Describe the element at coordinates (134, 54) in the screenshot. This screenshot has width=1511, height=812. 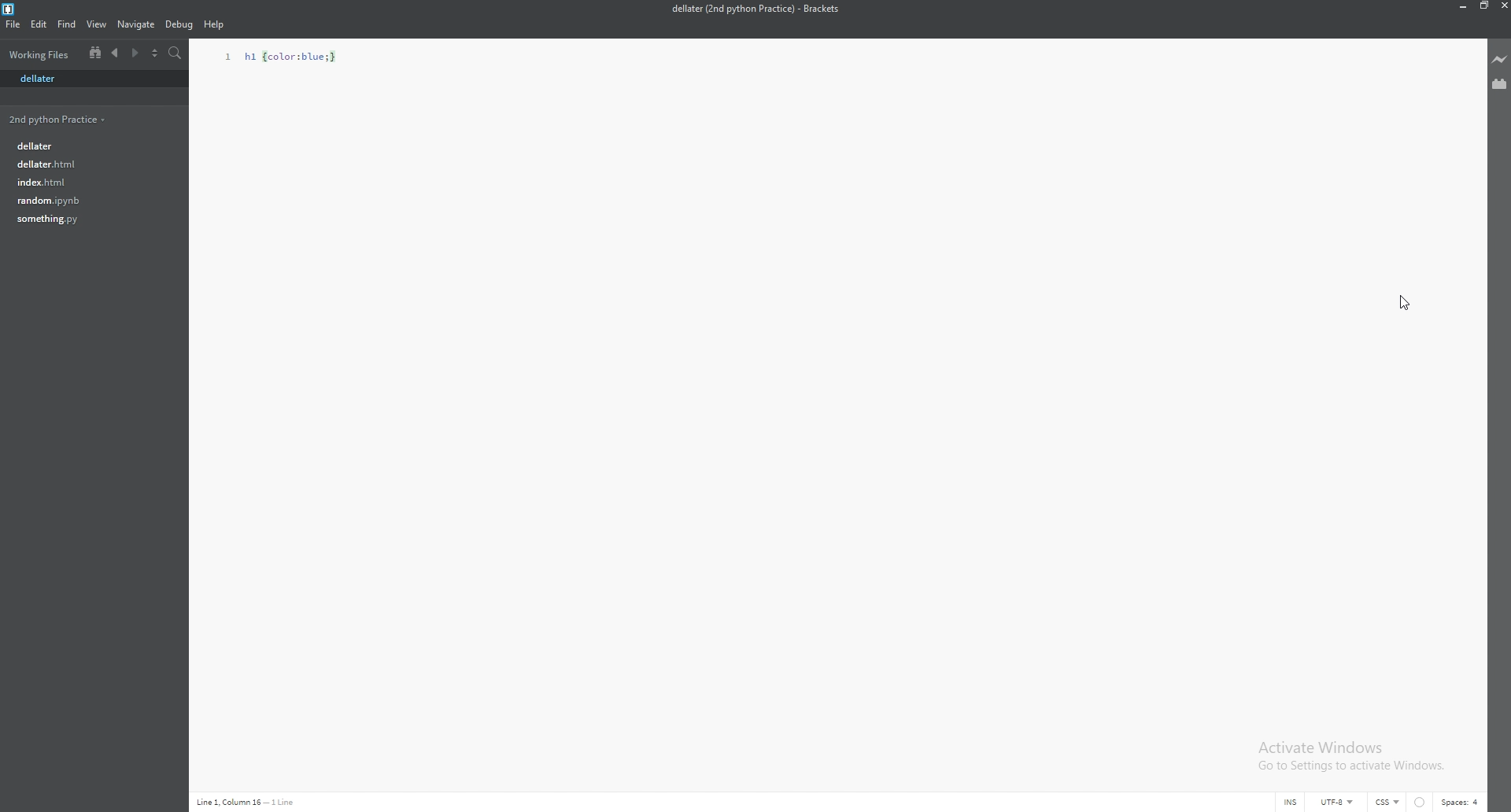
I see `next` at that location.